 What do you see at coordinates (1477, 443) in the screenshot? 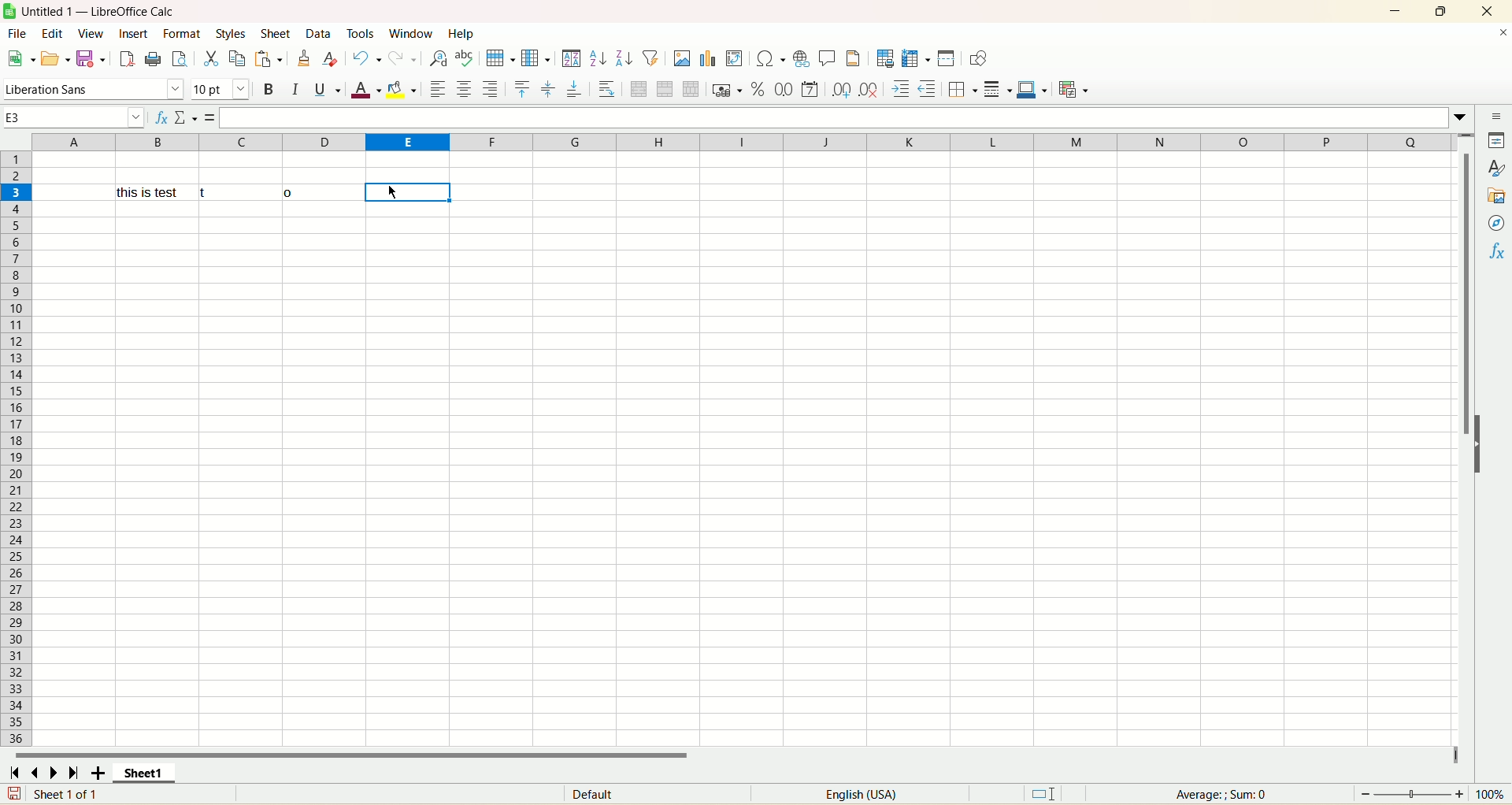
I see `hide` at bounding box center [1477, 443].